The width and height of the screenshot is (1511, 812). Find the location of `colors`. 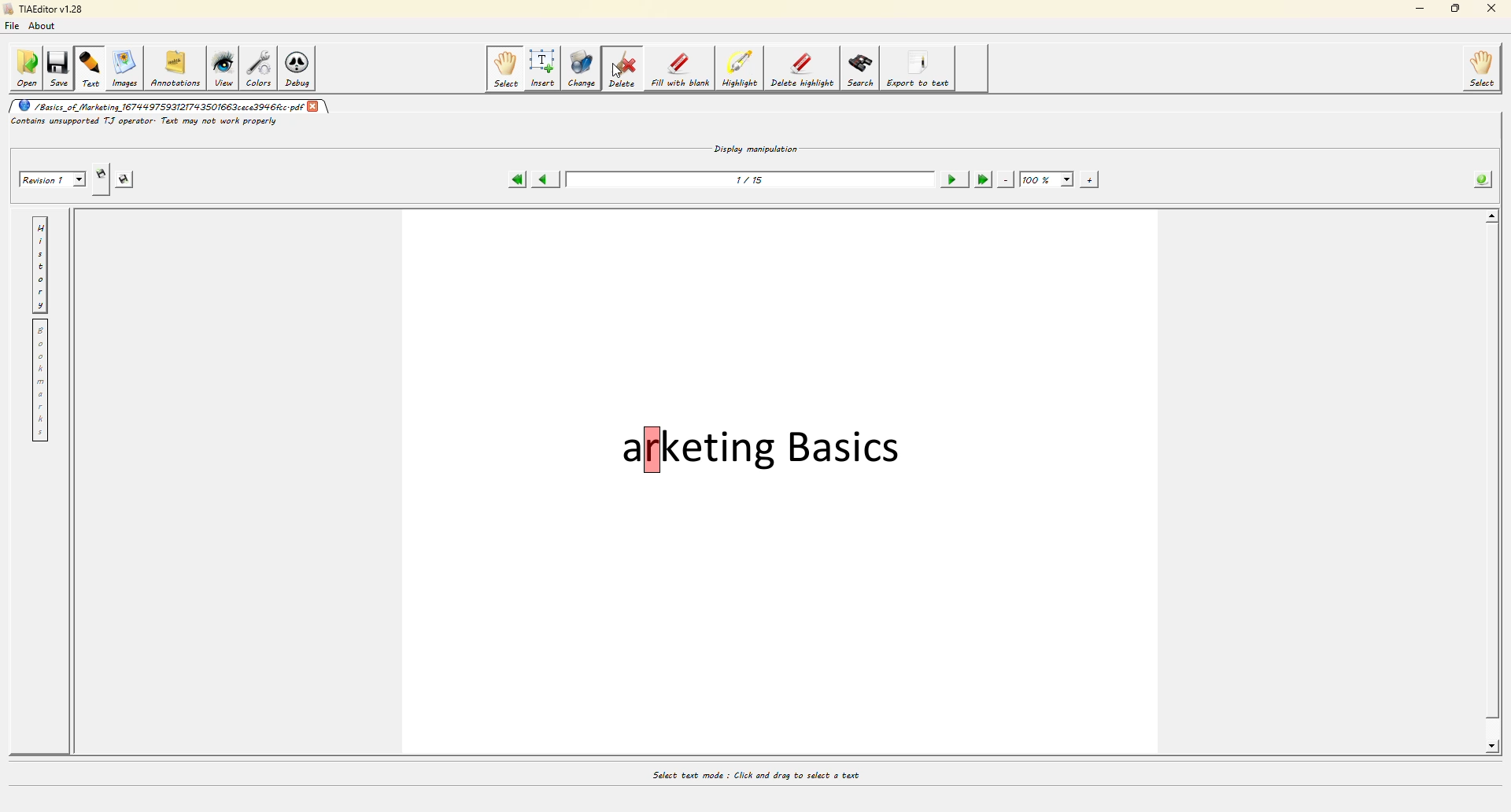

colors is located at coordinates (260, 68).